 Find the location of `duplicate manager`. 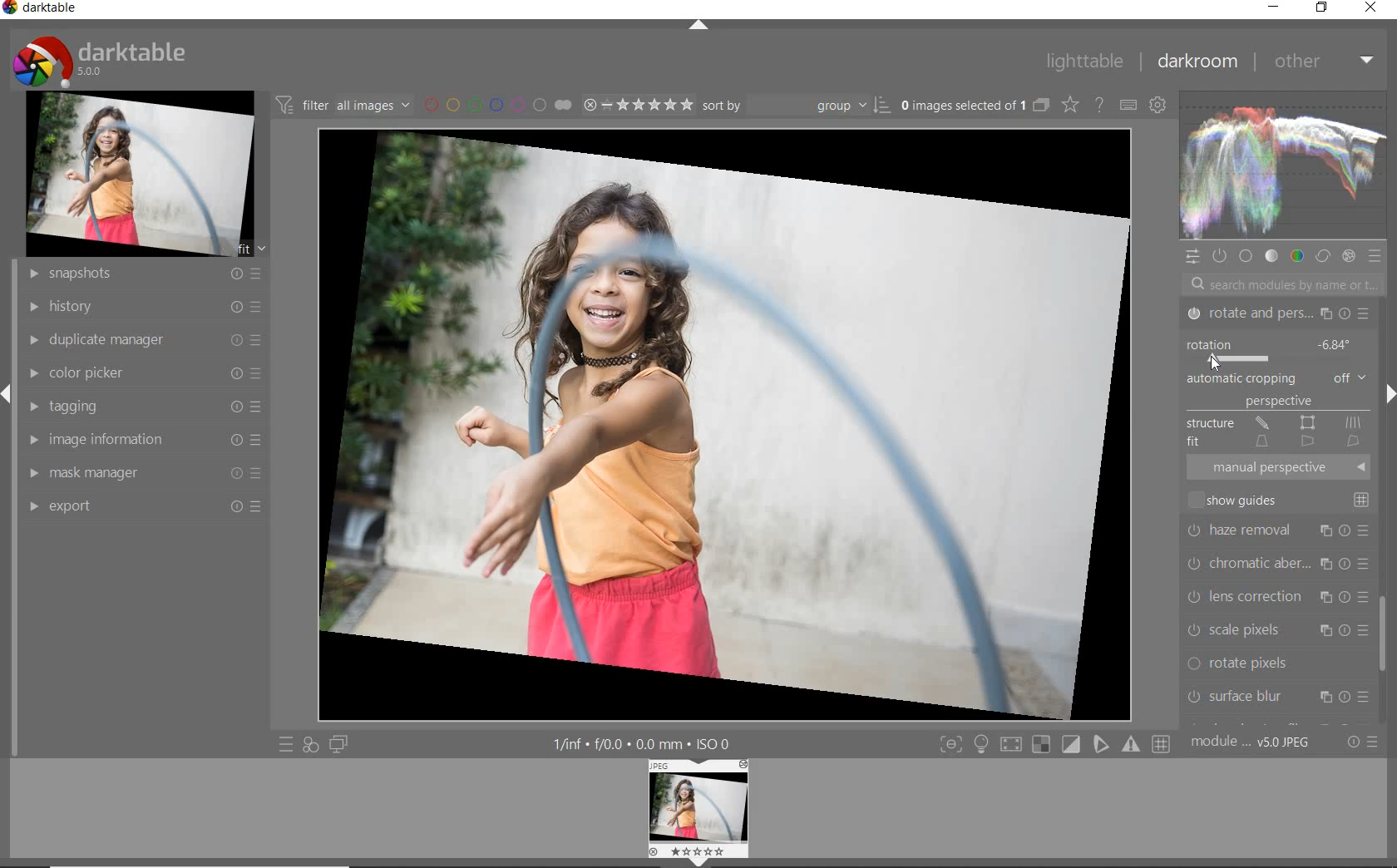

duplicate manager is located at coordinates (146, 340).